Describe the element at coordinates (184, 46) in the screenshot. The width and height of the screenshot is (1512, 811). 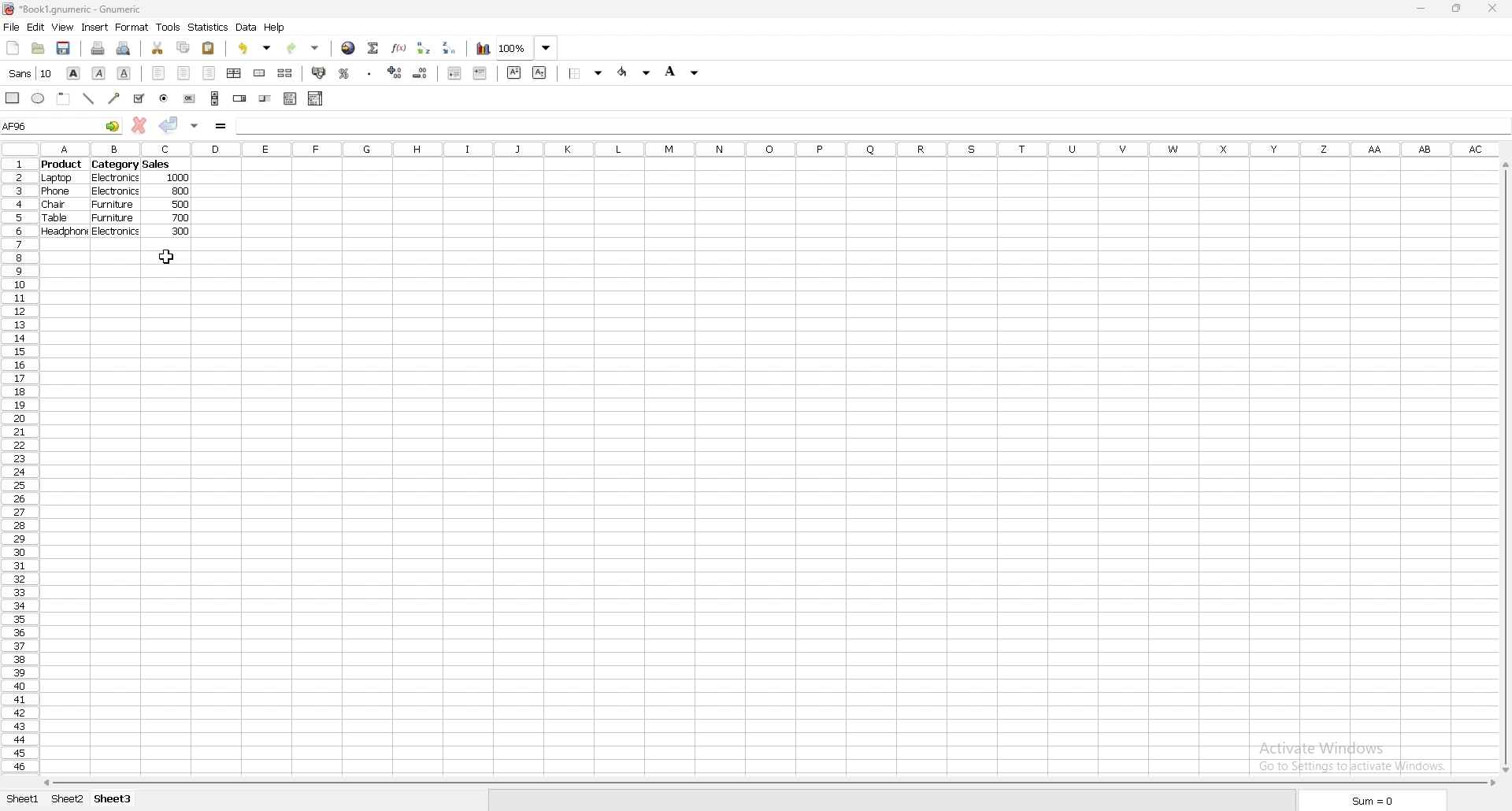
I see `copy` at that location.